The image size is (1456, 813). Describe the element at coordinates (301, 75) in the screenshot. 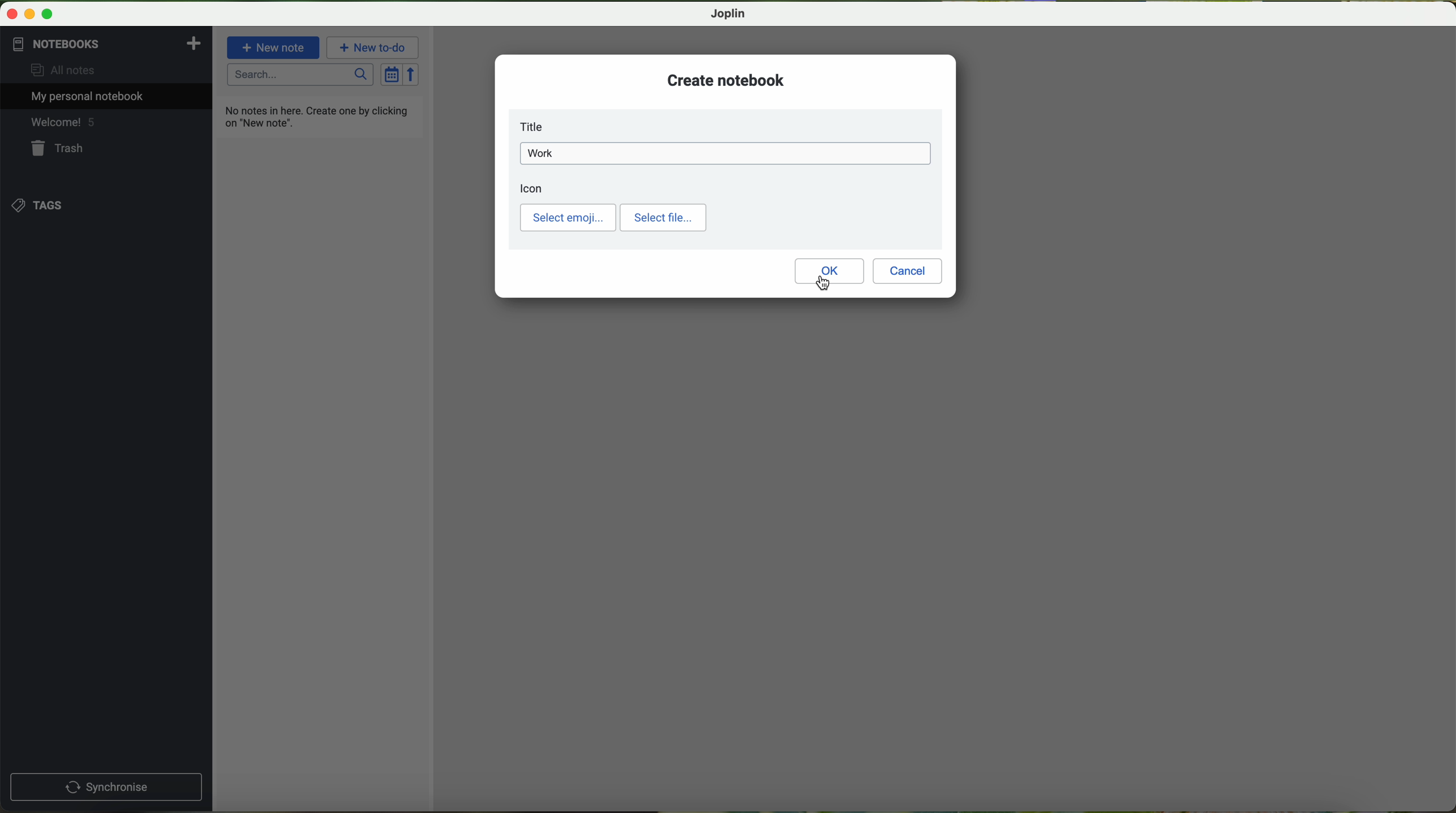

I see `search bar` at that location.